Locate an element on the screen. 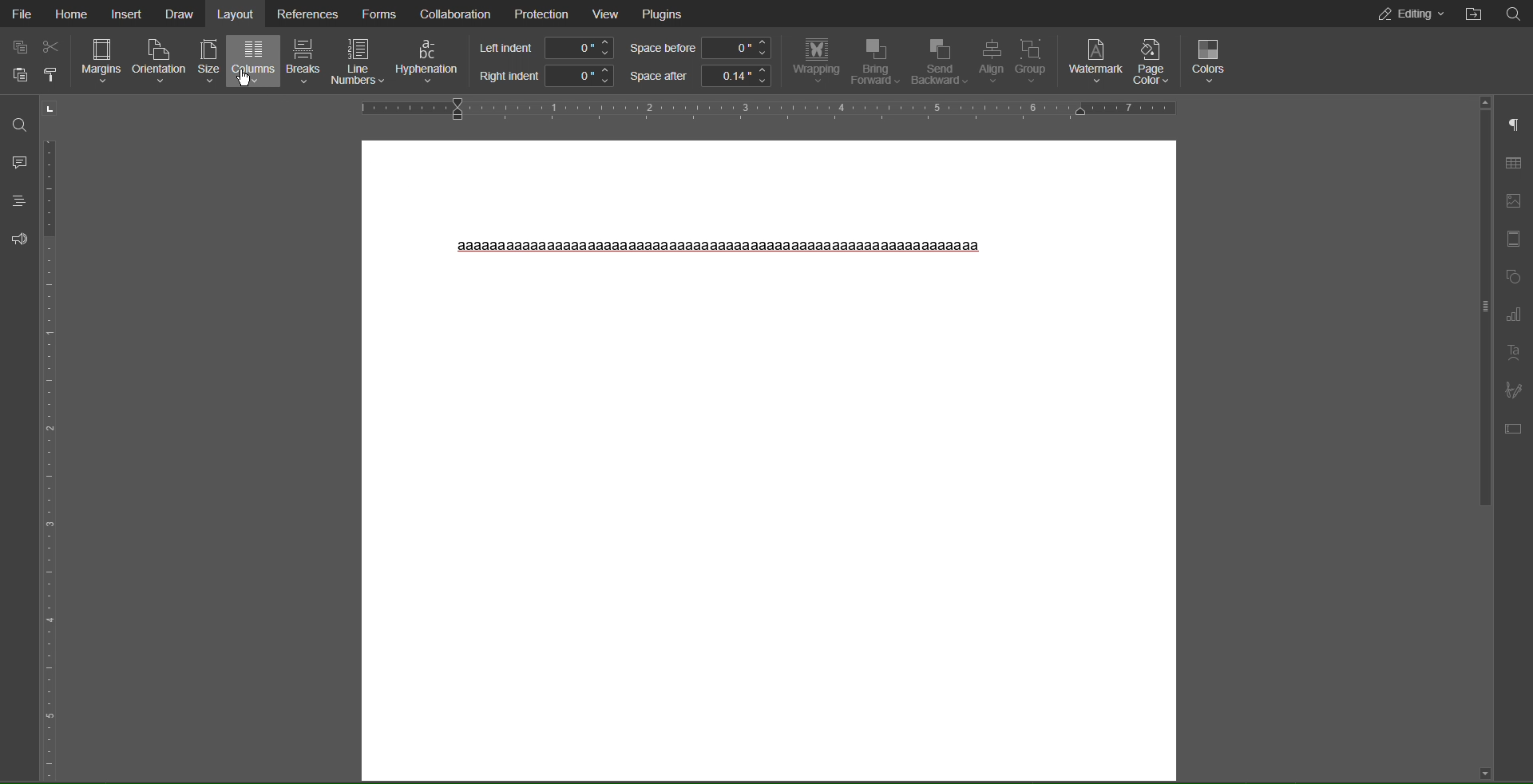 The image size is (1533, 784). Hyphenation is located at coordinates (430, 63).